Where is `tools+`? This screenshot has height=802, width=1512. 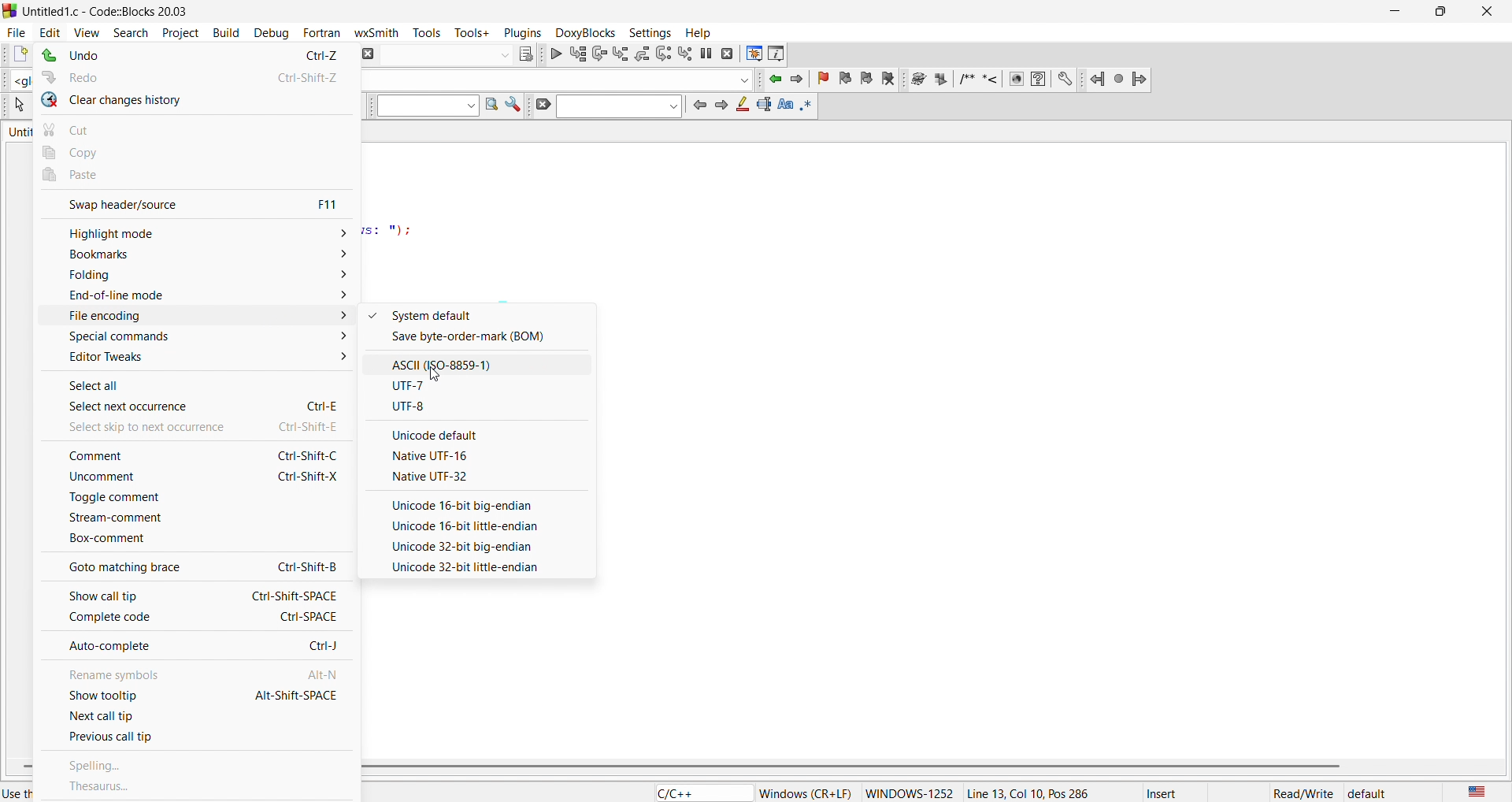 tools+ is located at coordinates (469, 32).